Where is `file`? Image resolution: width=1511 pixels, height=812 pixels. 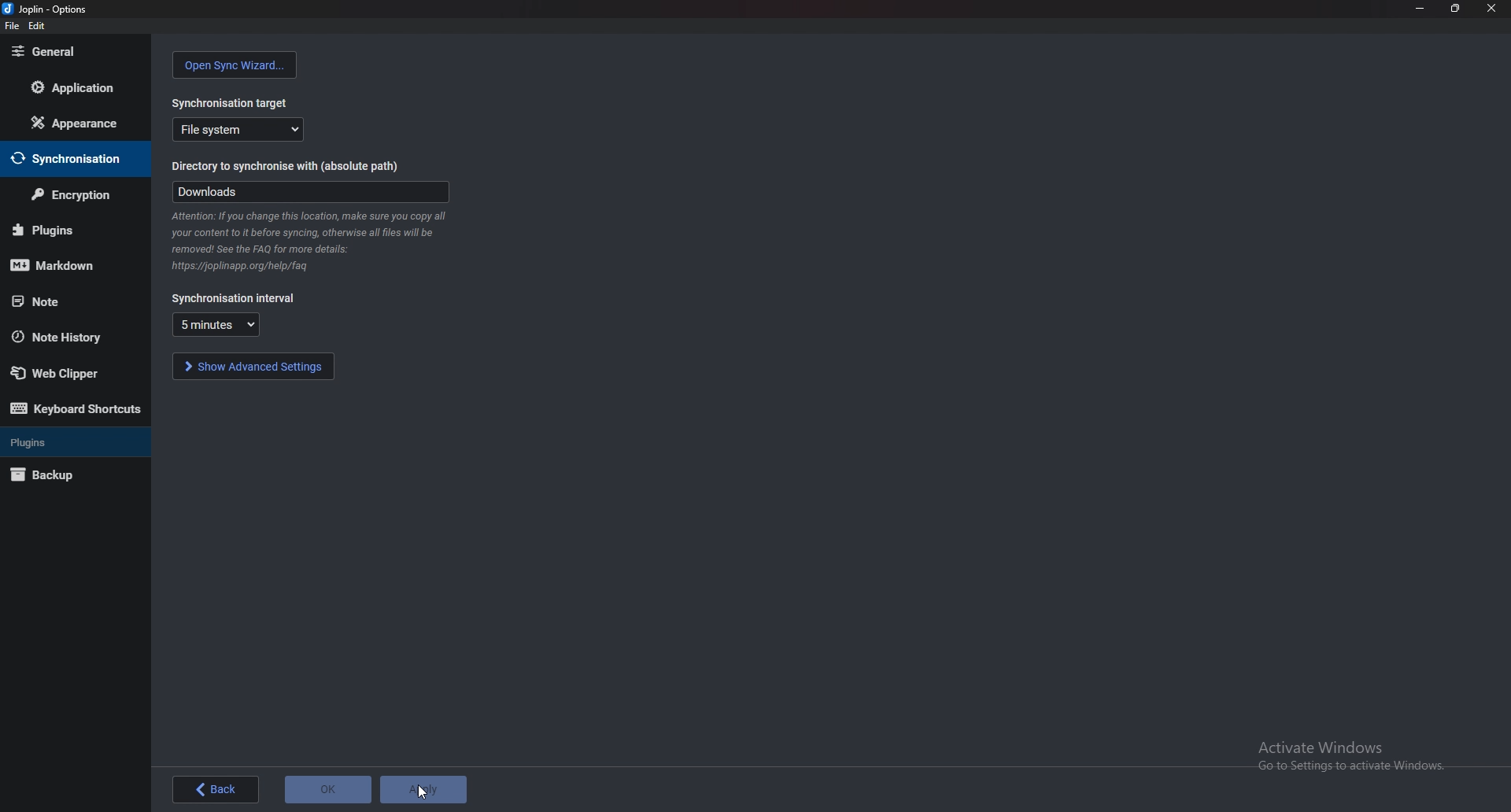
file is located at coordinates (12, 26).